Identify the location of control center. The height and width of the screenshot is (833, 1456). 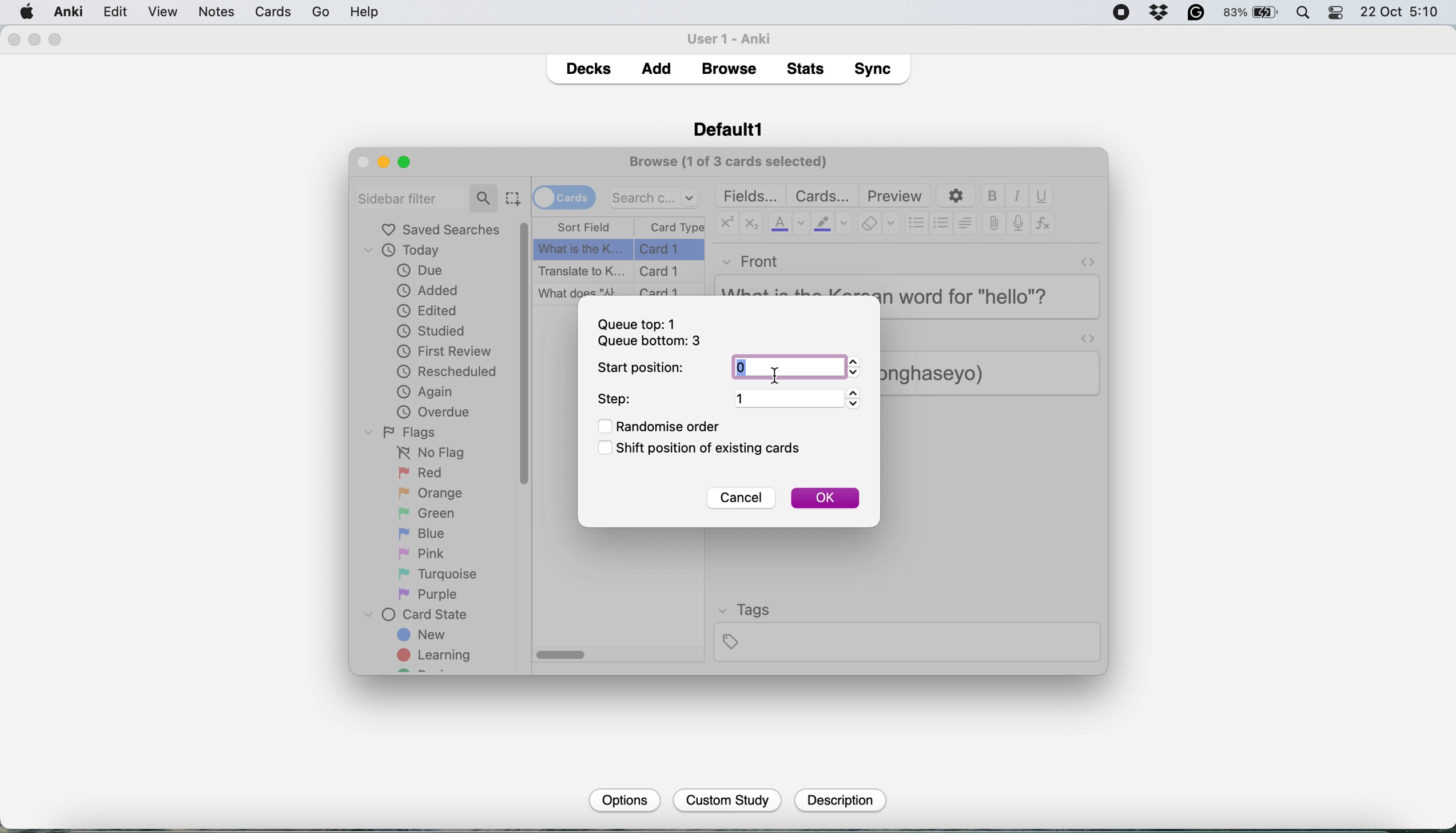
(1337, 13).